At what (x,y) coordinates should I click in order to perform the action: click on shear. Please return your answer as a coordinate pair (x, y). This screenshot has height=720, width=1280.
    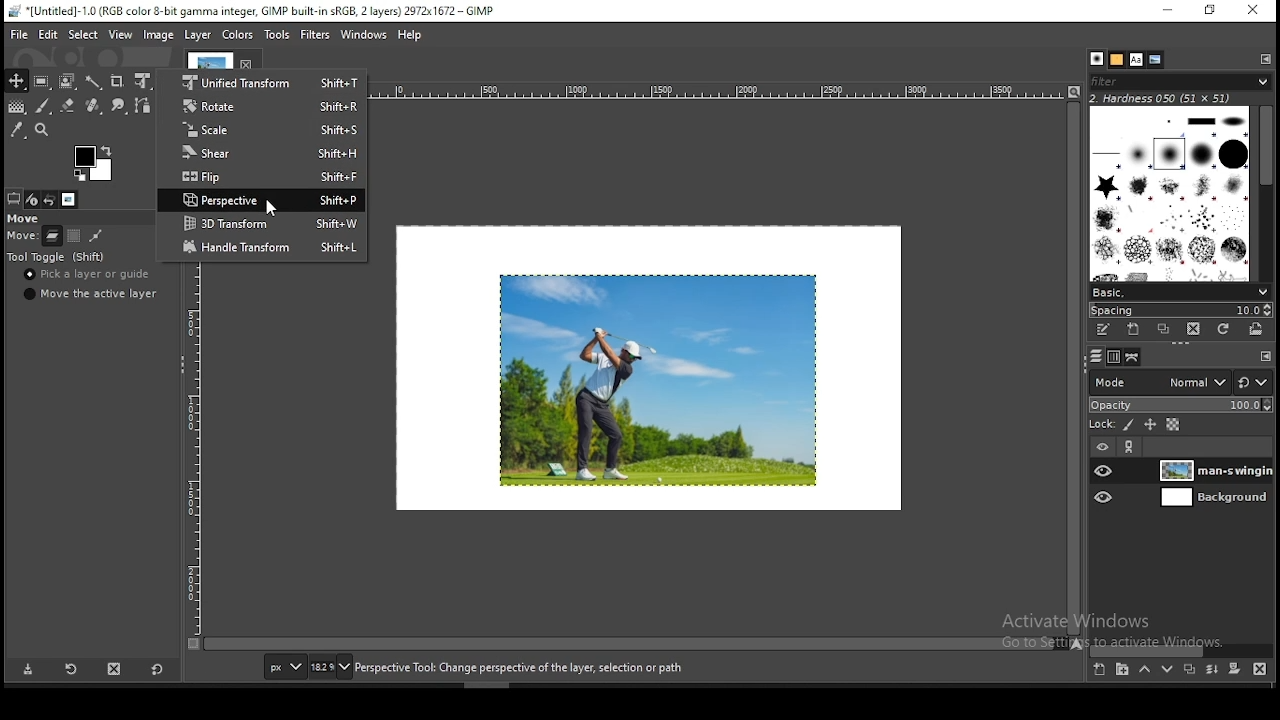
    Looking at the image, I should click on (264, 154).